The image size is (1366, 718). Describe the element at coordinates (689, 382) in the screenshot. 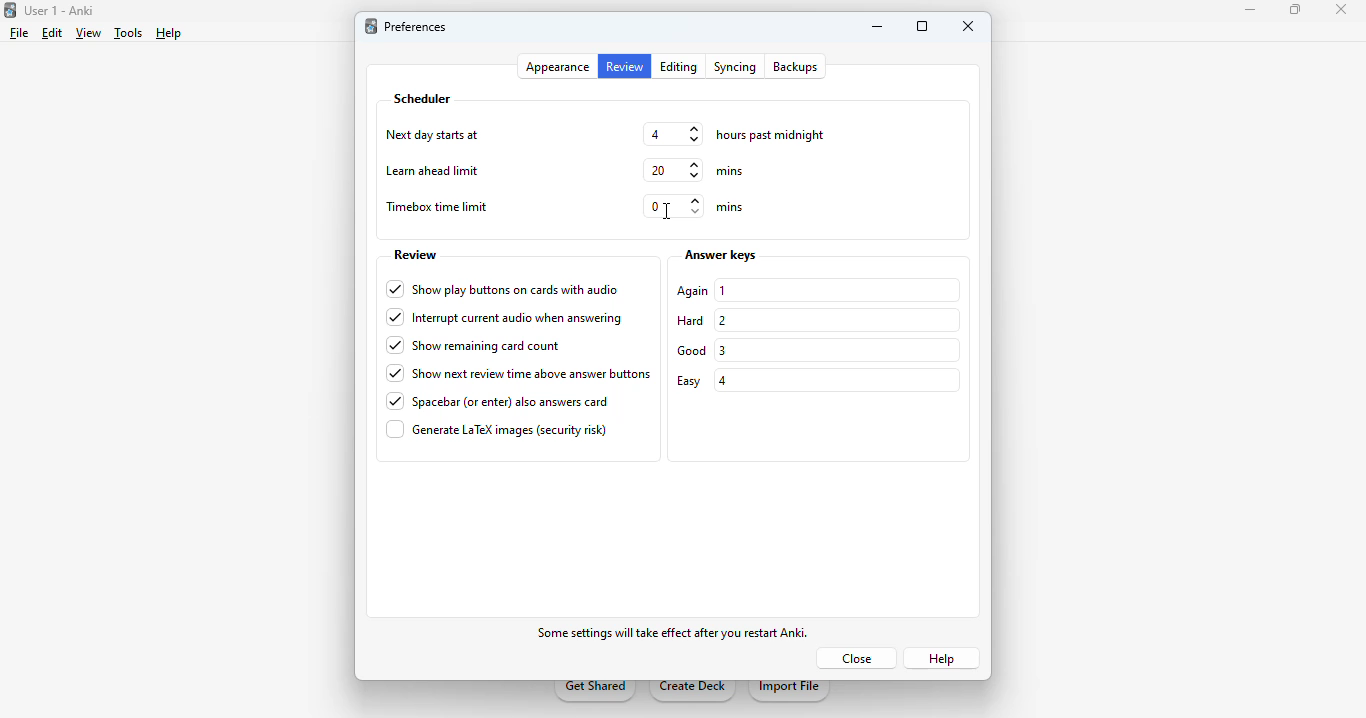

I see `easy` at that location.